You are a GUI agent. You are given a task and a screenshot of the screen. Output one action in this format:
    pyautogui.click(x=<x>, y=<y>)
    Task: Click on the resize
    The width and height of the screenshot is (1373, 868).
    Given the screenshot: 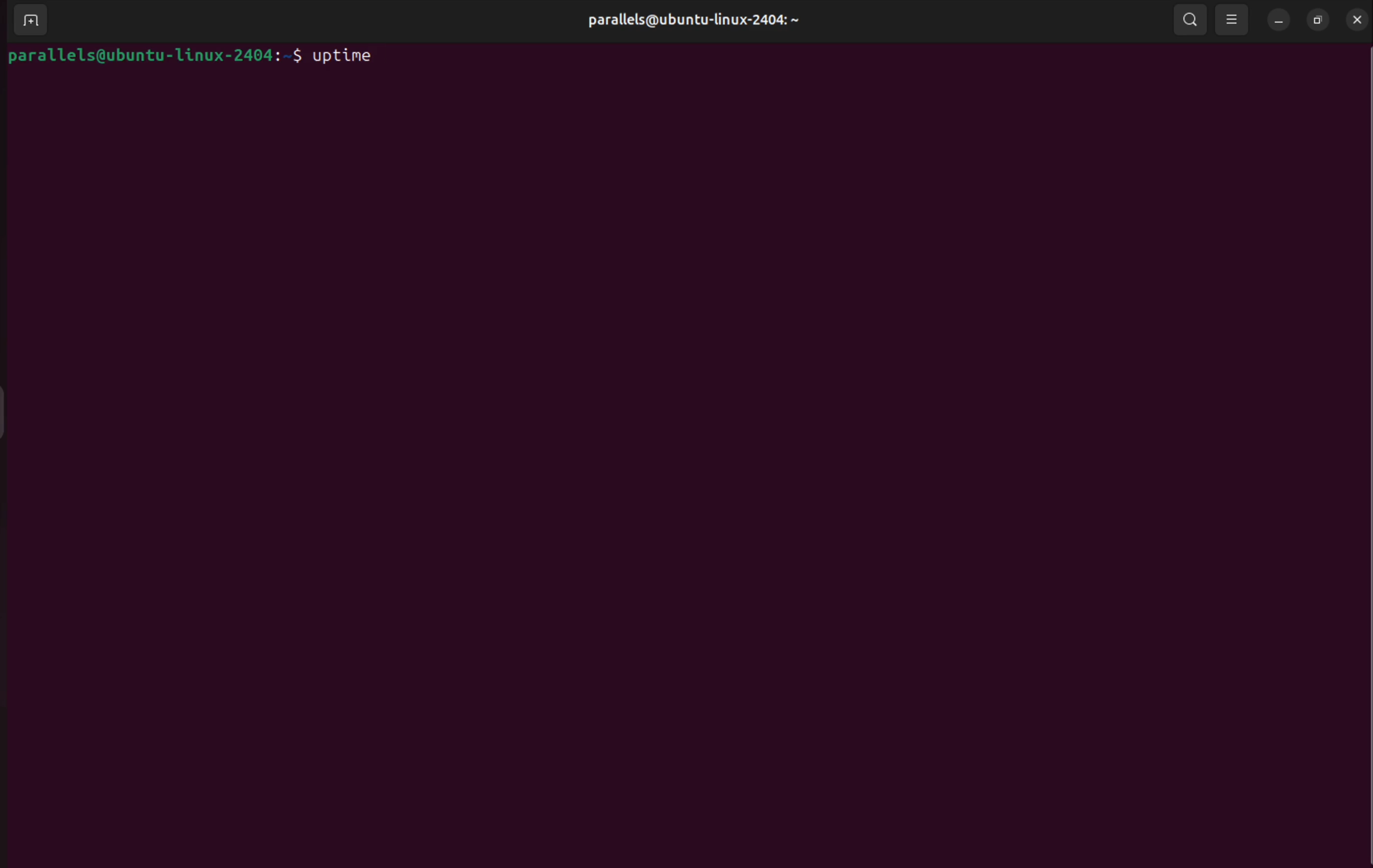 What is the action you would take?
    pyautogui.click(x=1317, y=18)
    